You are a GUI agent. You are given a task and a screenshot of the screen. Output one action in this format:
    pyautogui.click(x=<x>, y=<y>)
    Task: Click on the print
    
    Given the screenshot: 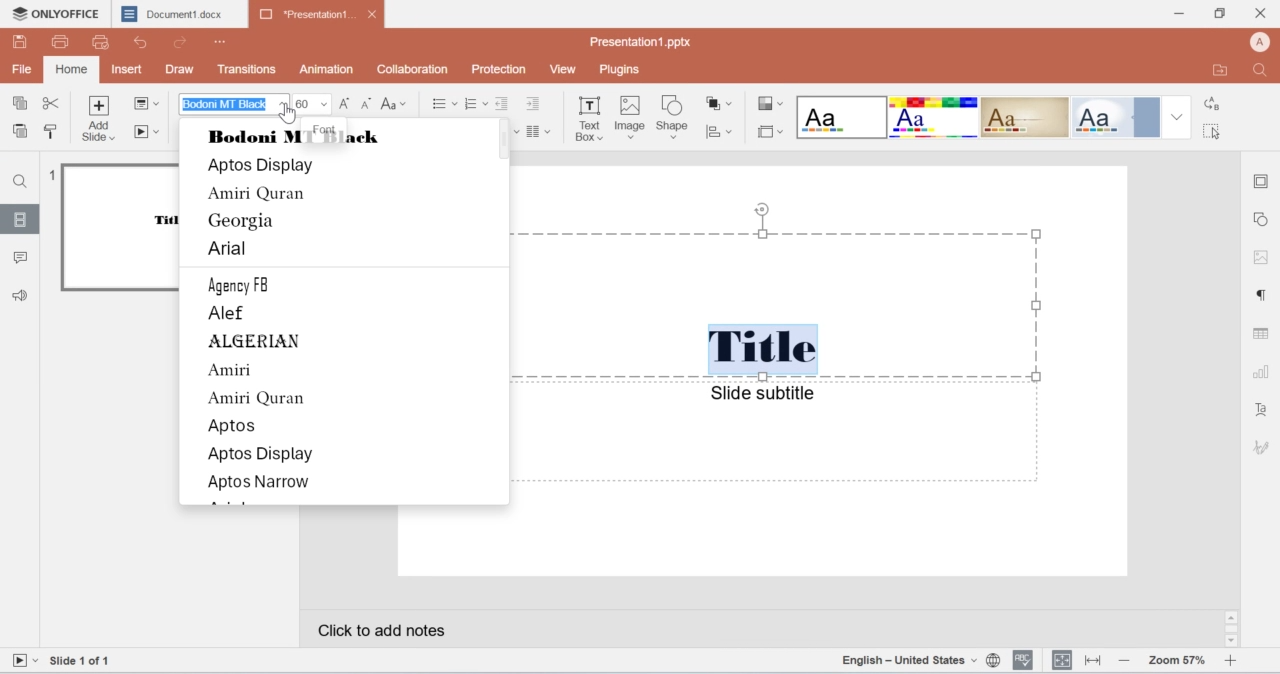 What is the action you would take?
    pyautogui.click(x=63, y=43)
    